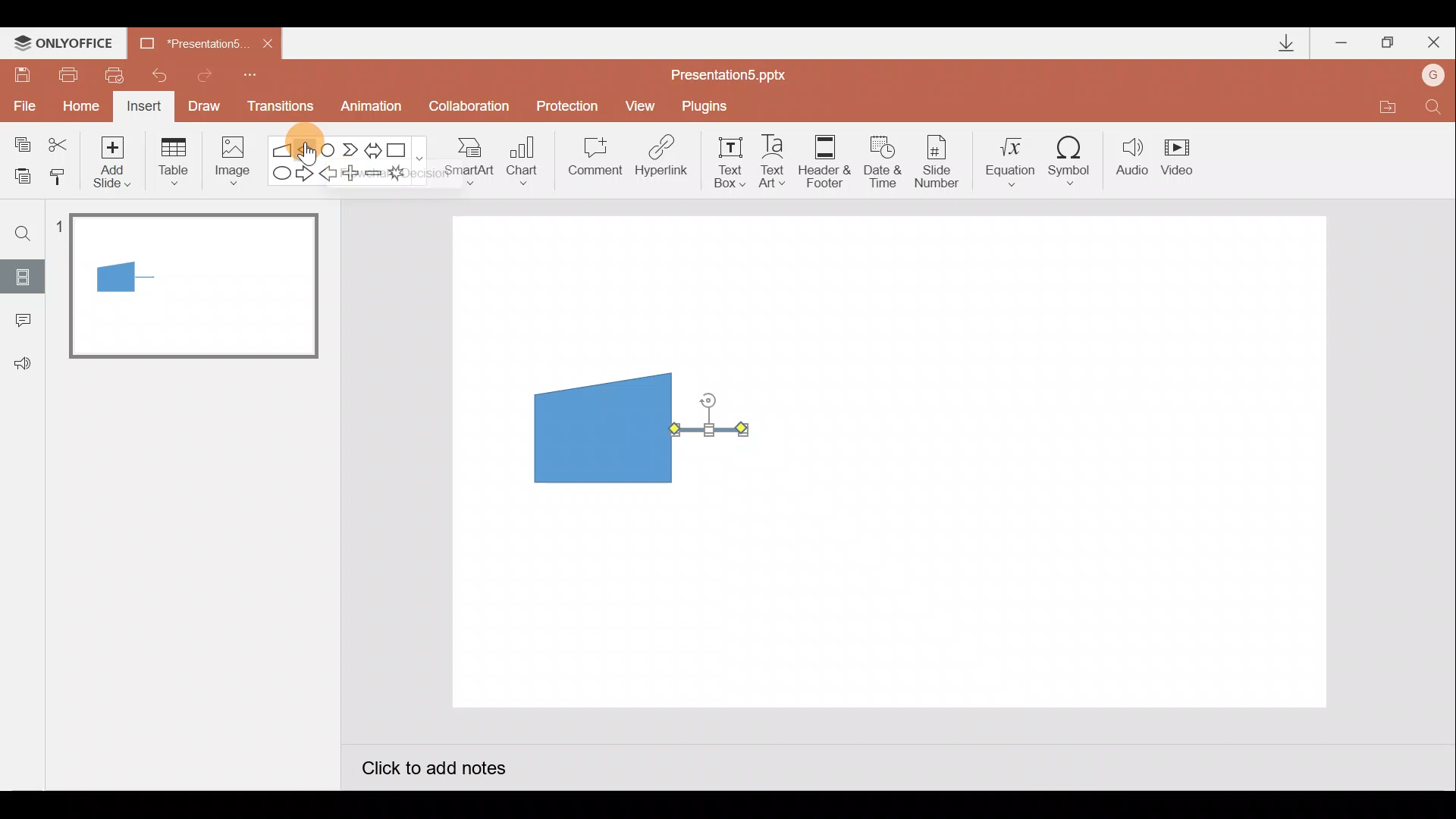  Describe the element at coordinates (375, 176) in the screenshot. I see `Minus` at that location.